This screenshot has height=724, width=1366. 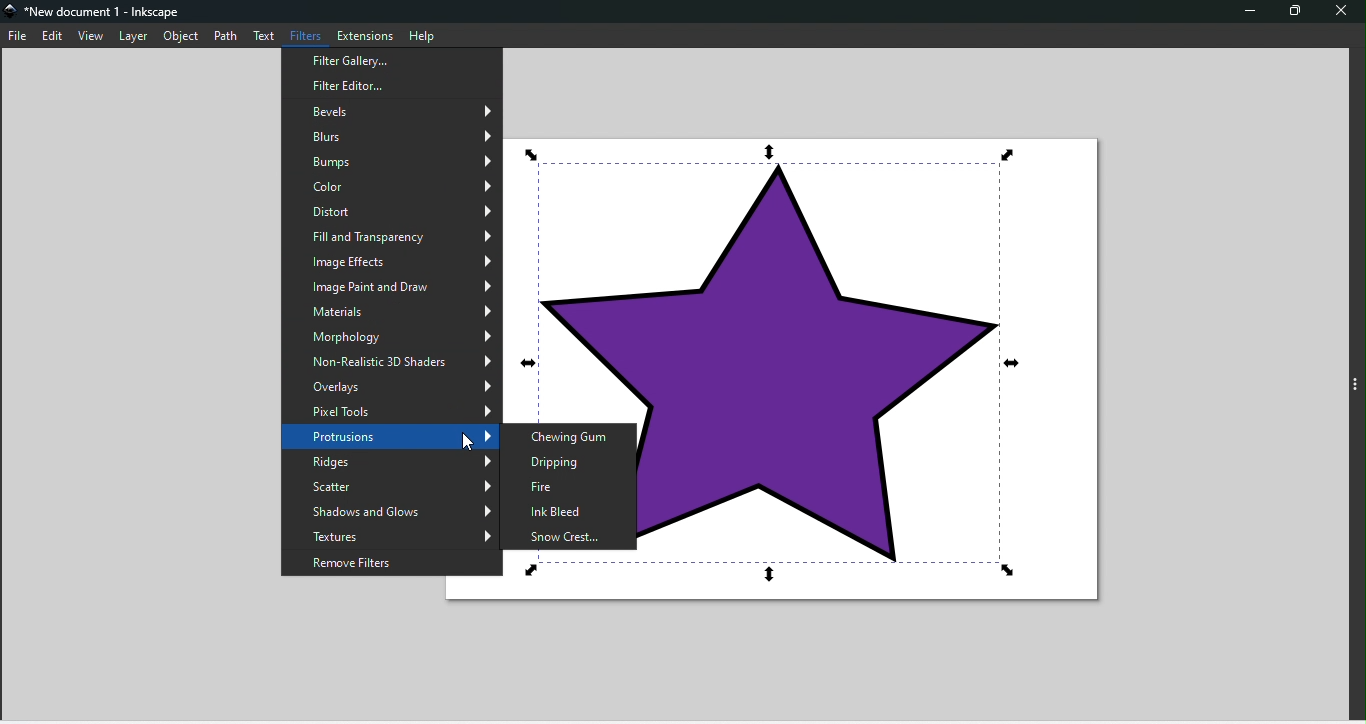 I want to click on sideBar toggle, so click(x=1355, y=386).